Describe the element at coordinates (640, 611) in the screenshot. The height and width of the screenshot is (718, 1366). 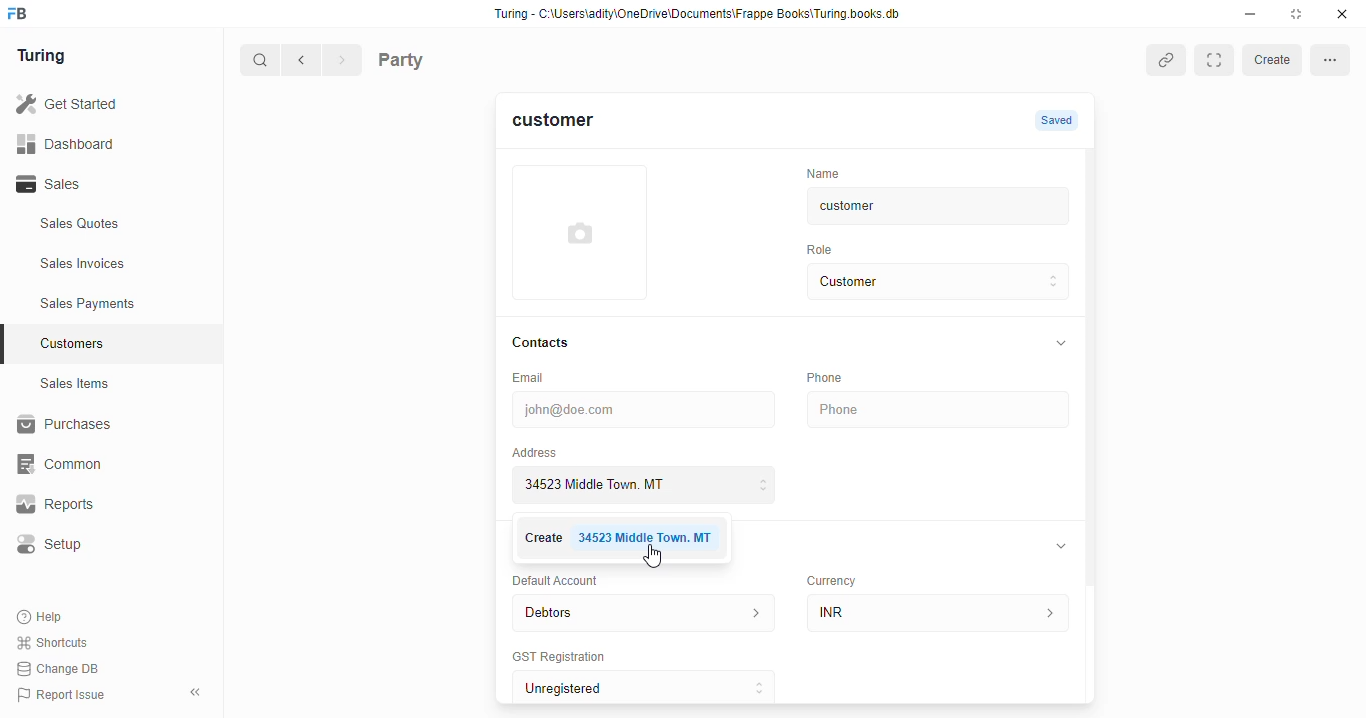
I see `Debtors` at that location.